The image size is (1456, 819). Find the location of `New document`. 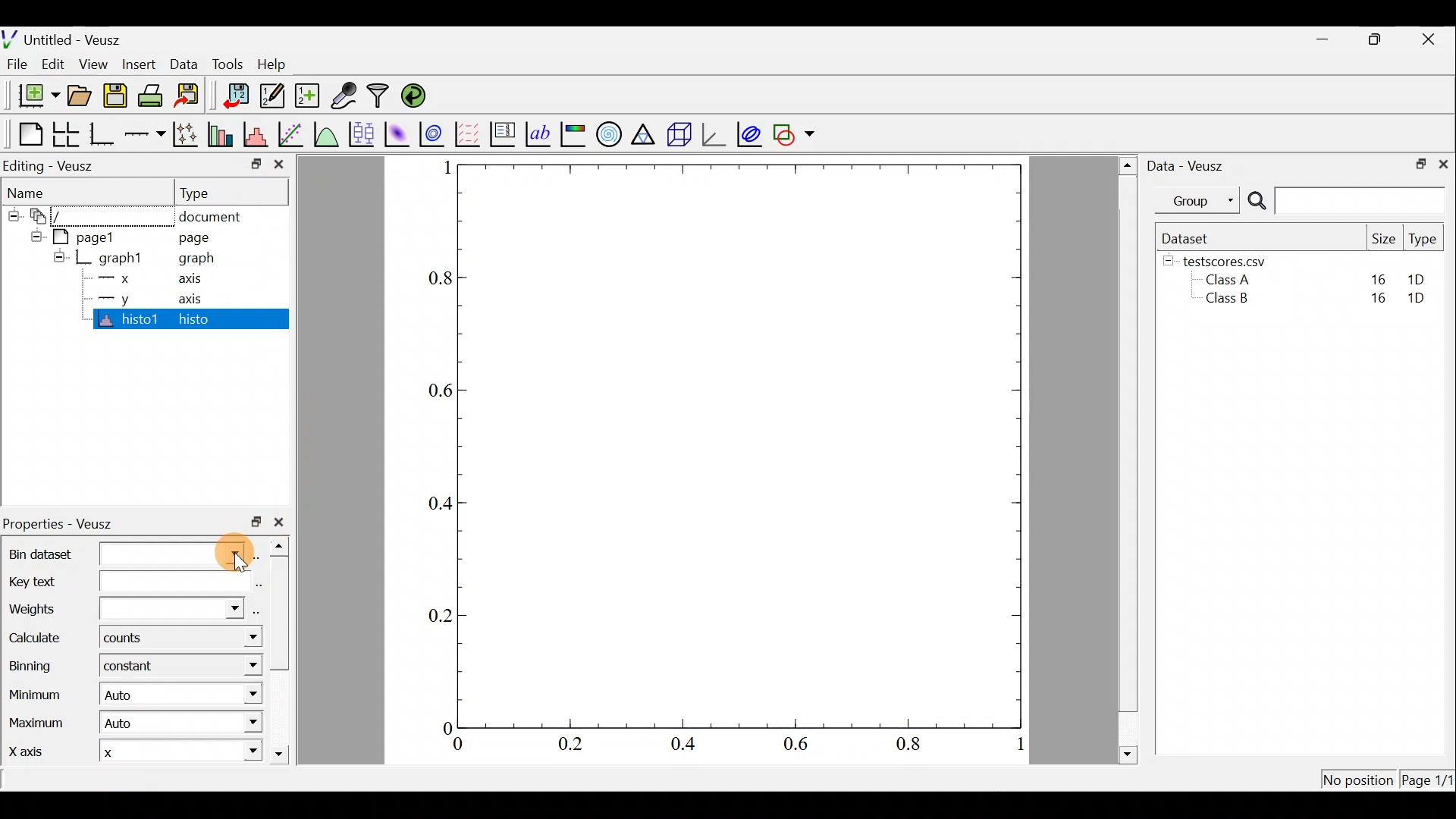

New document is located at coordinates (32, 95).